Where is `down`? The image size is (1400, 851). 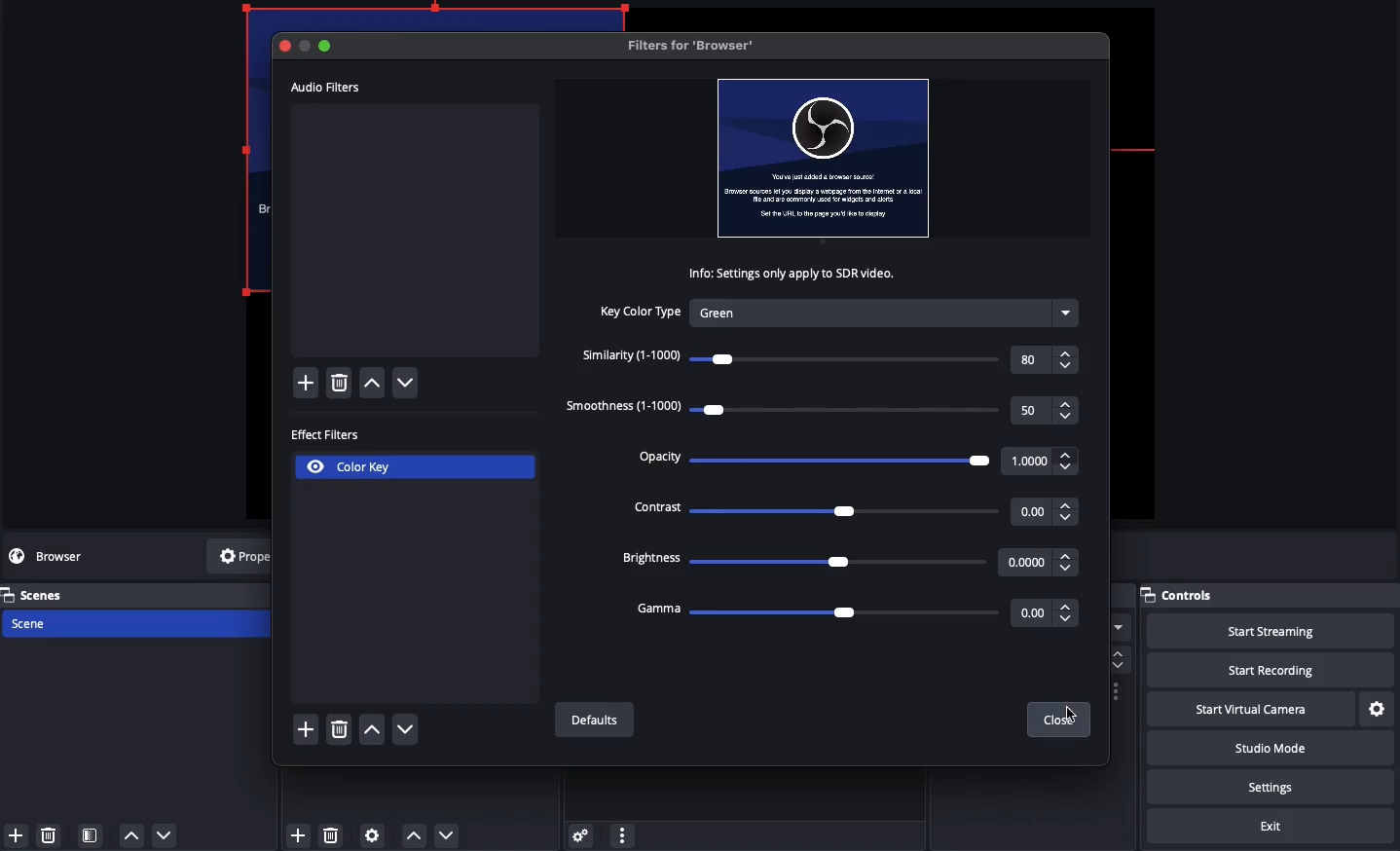
down is located at coordinates (165, 833).